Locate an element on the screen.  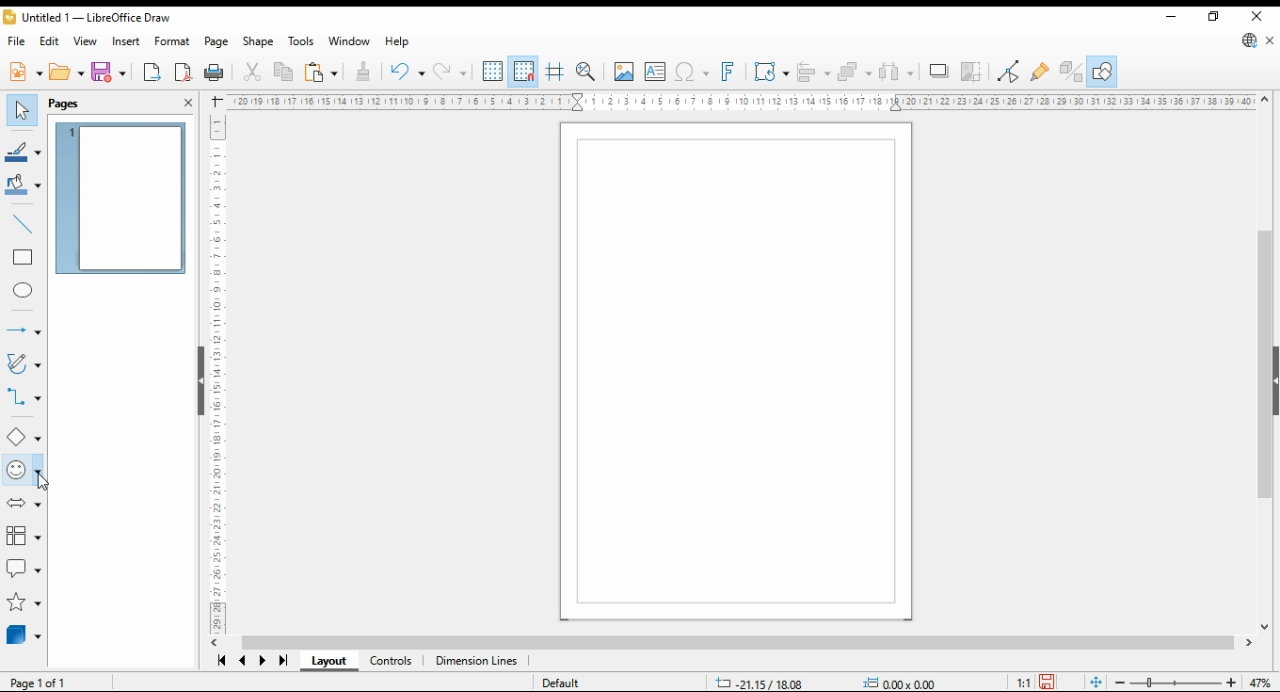
minimize is located at coordinates (1170, 16).